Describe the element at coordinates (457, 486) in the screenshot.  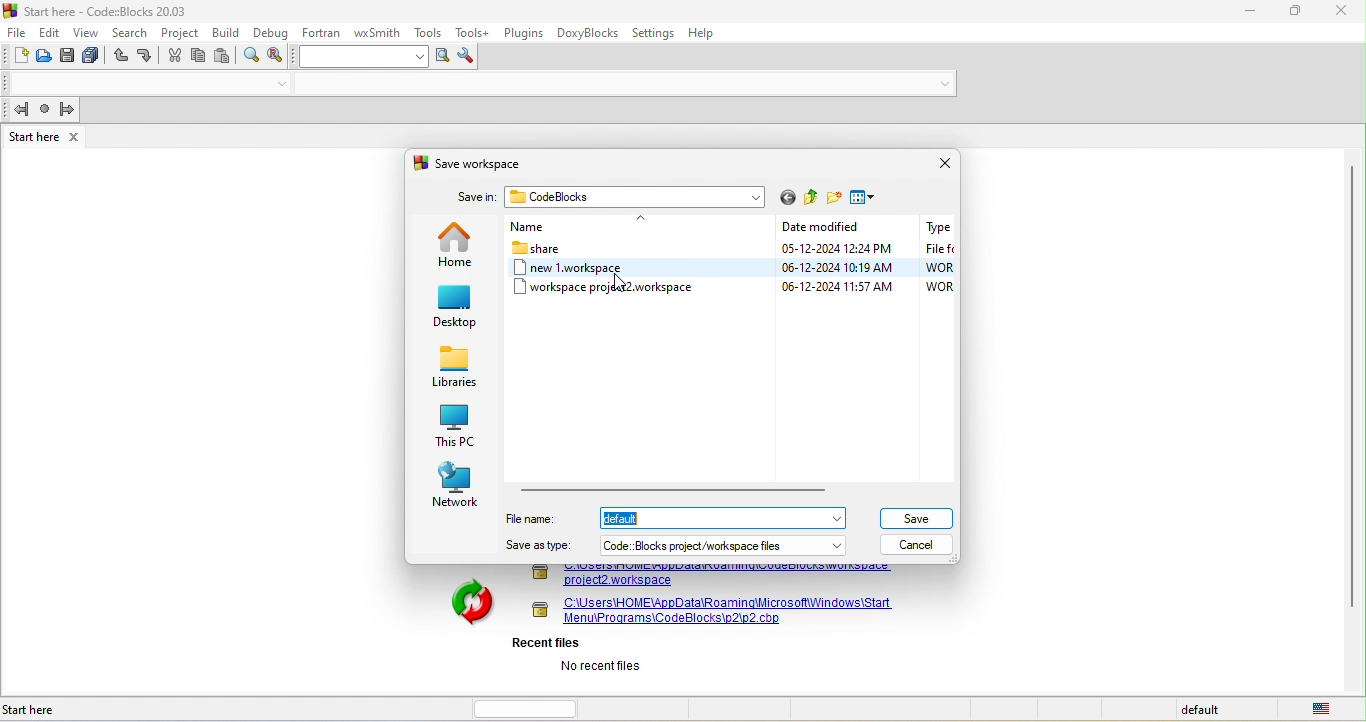
I see `network` at that location.